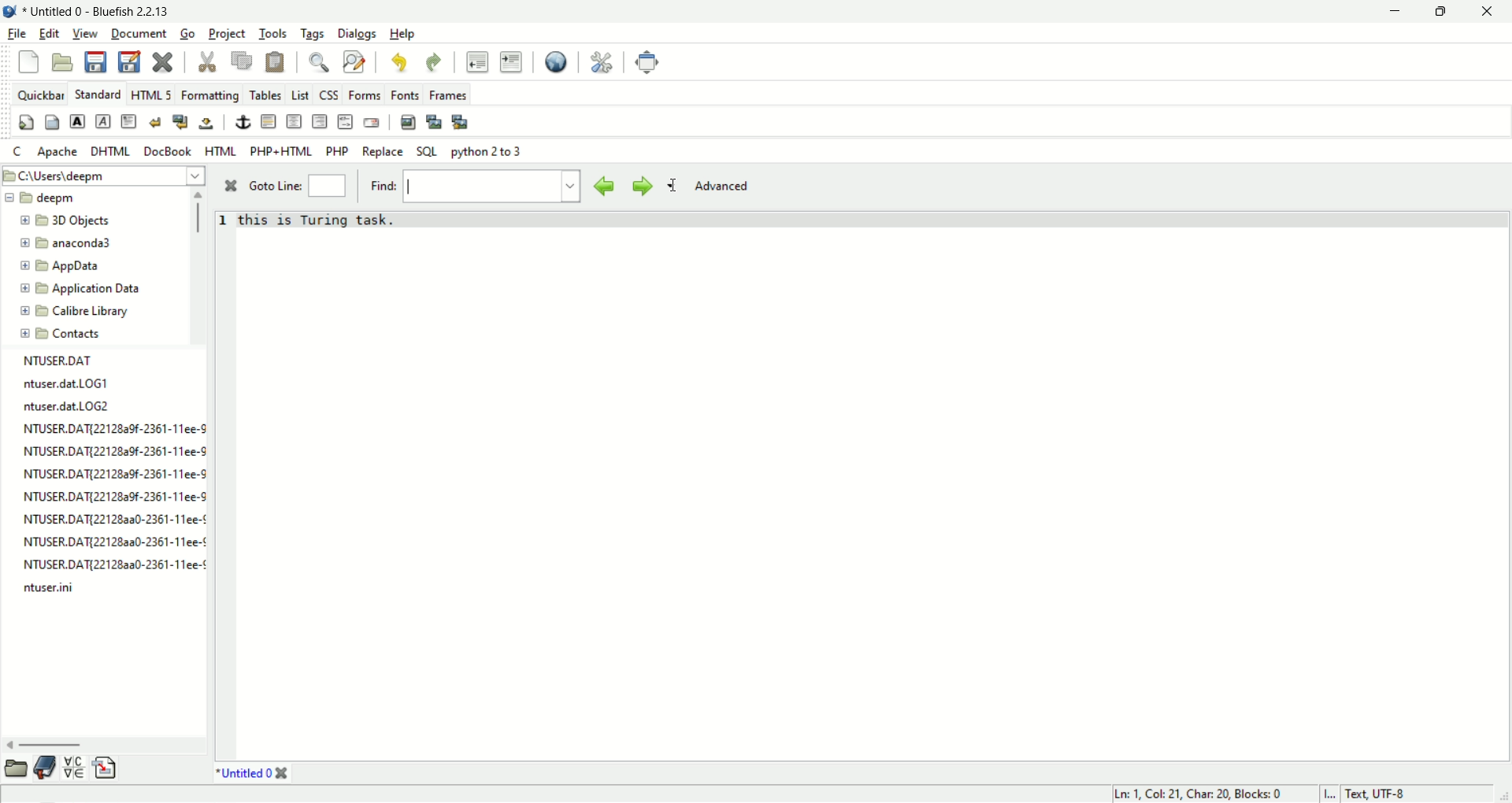 This screenshot has height=803, width=1512. Describe the element at coordinates (321, 121) in the screenshot. I see `right justify` at that location.